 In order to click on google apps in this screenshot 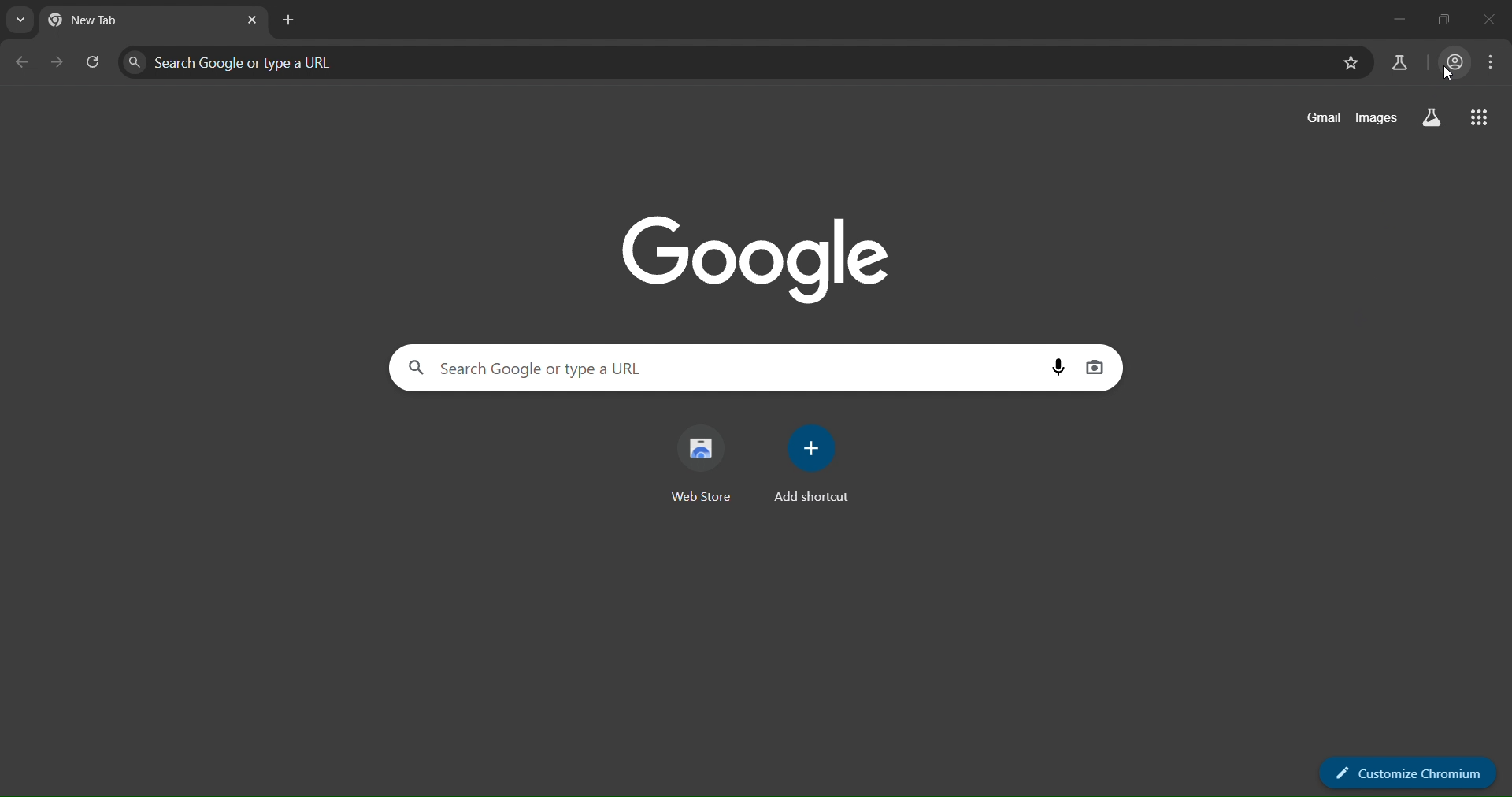, I will do `click(1482, 120)`.